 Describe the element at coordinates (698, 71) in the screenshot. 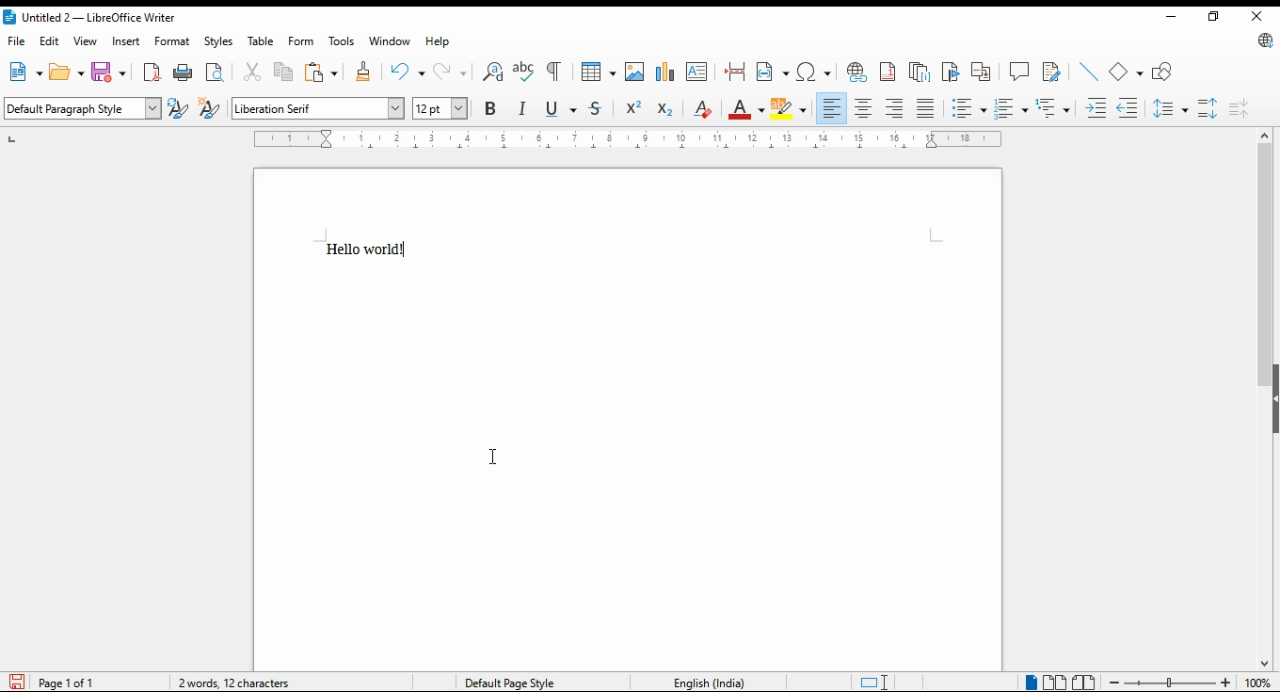

I see `insert text box` at that location.